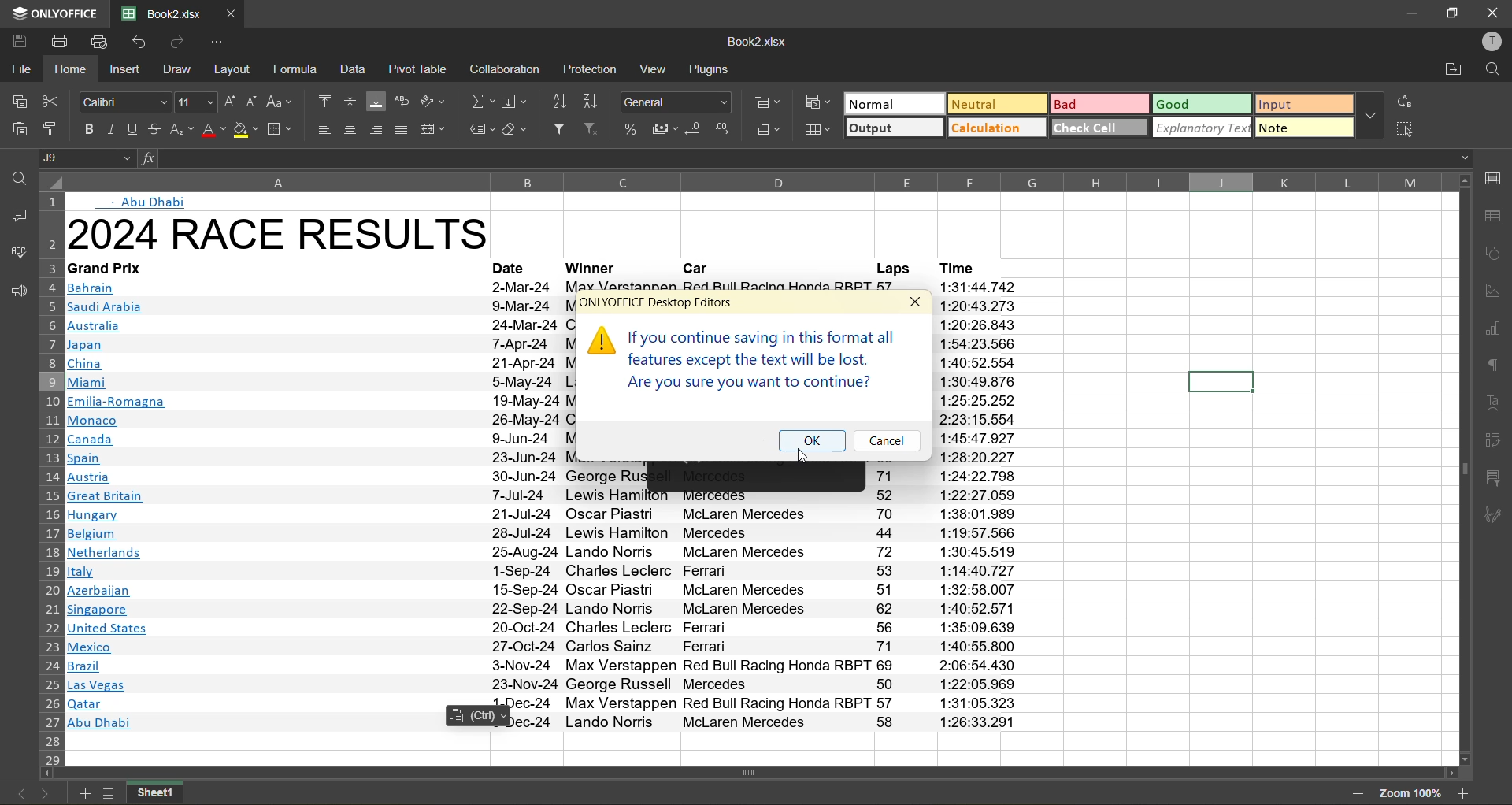 The image size is (1512, 805). I want to click on orientation, so click(435, 101).